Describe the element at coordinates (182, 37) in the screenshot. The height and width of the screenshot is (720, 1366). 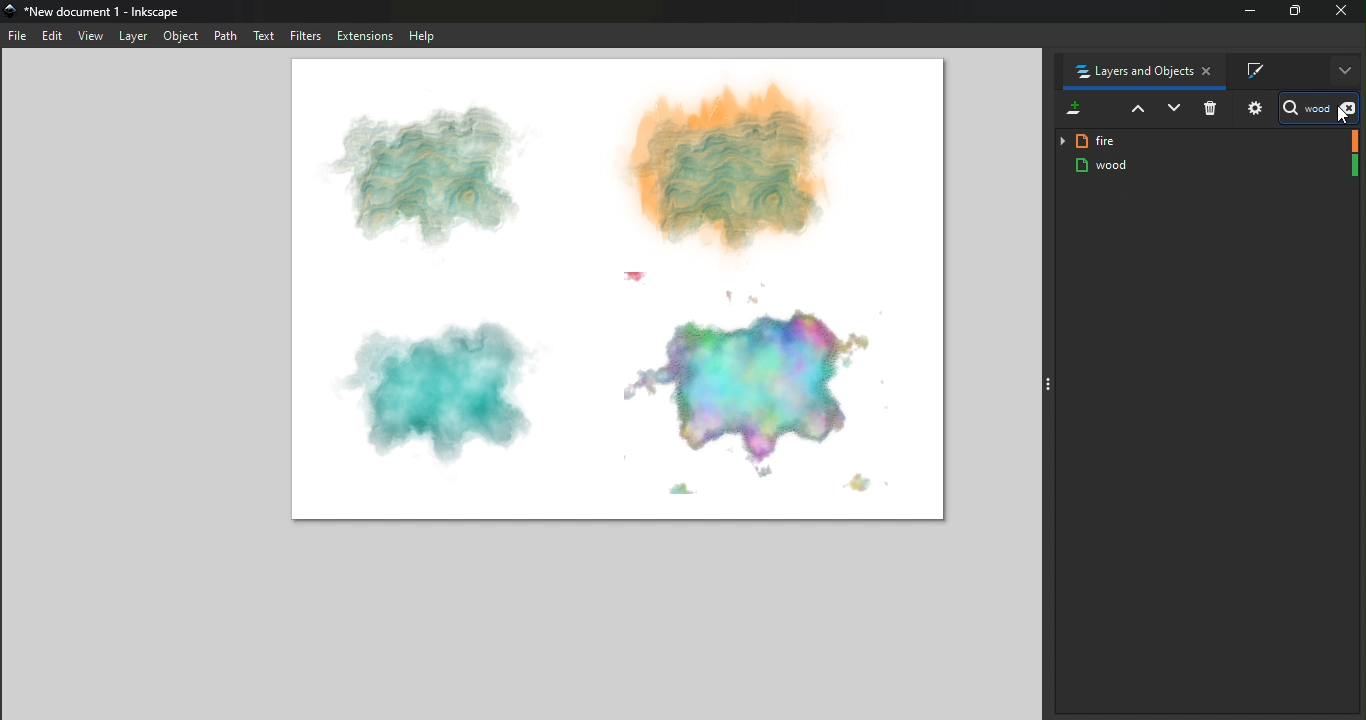
I see `Object` at that location.